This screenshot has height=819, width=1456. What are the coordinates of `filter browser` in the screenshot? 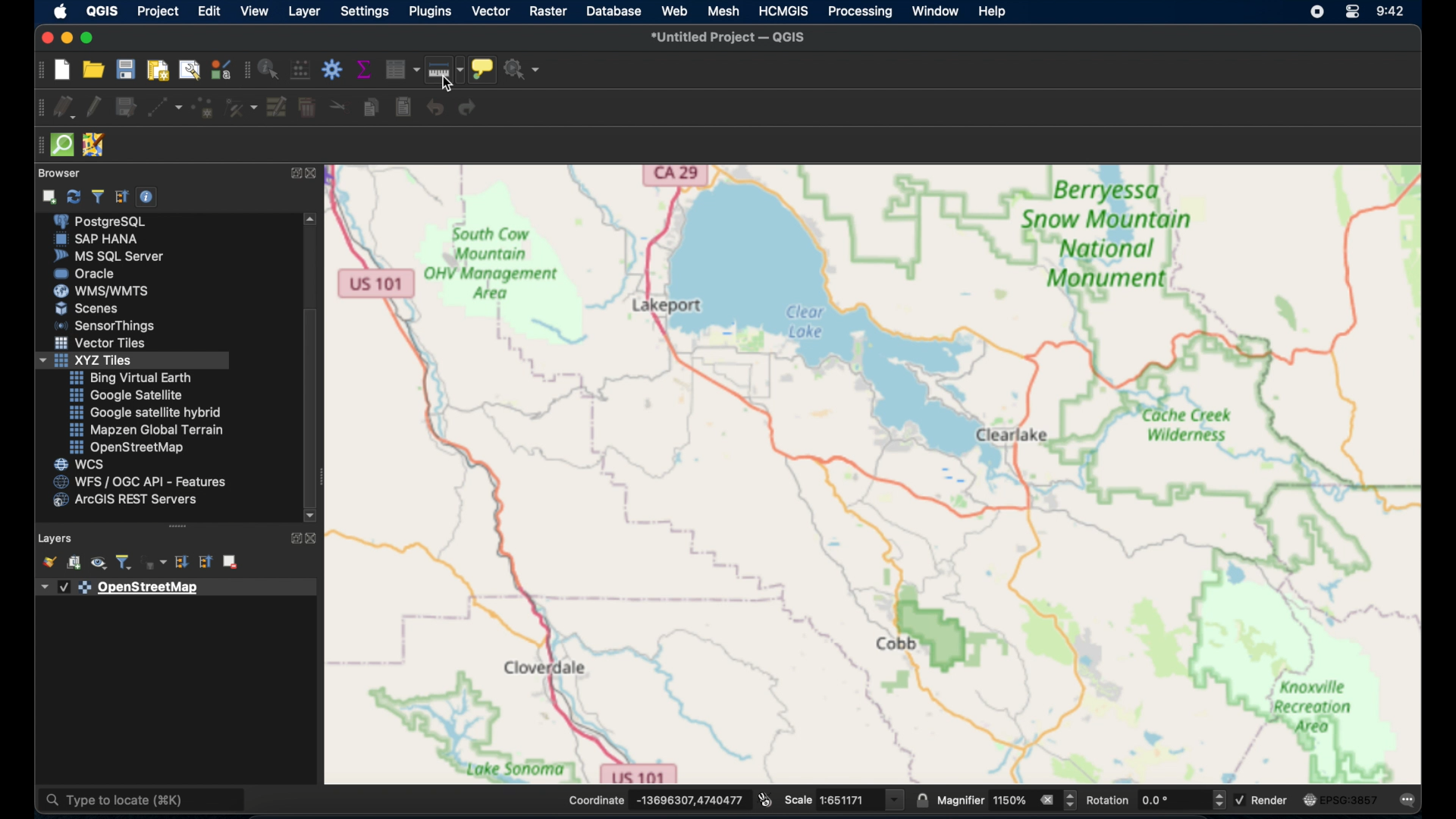 It's located at (97, 196).